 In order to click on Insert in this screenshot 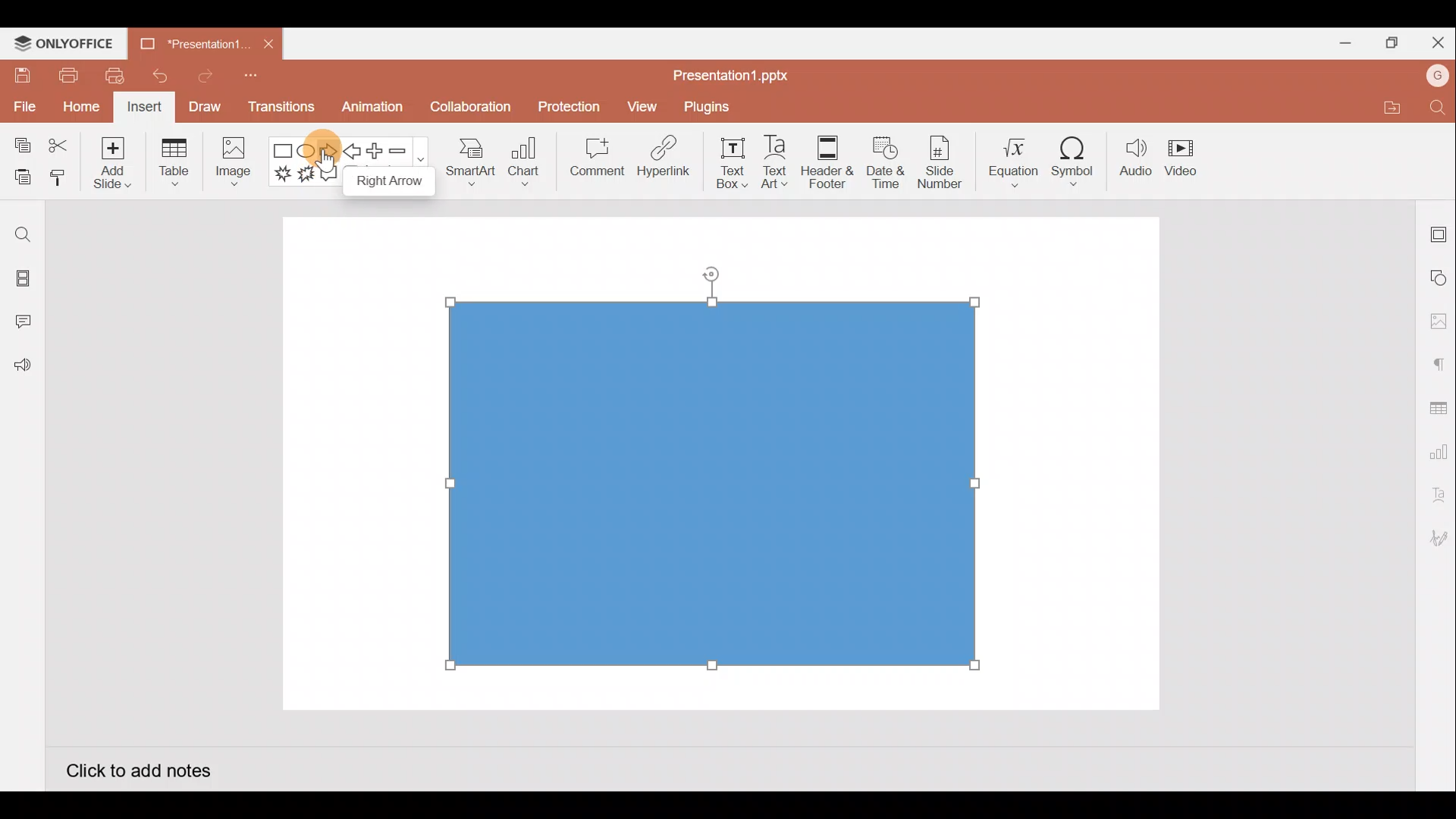, I will do `click(145, 108)`.